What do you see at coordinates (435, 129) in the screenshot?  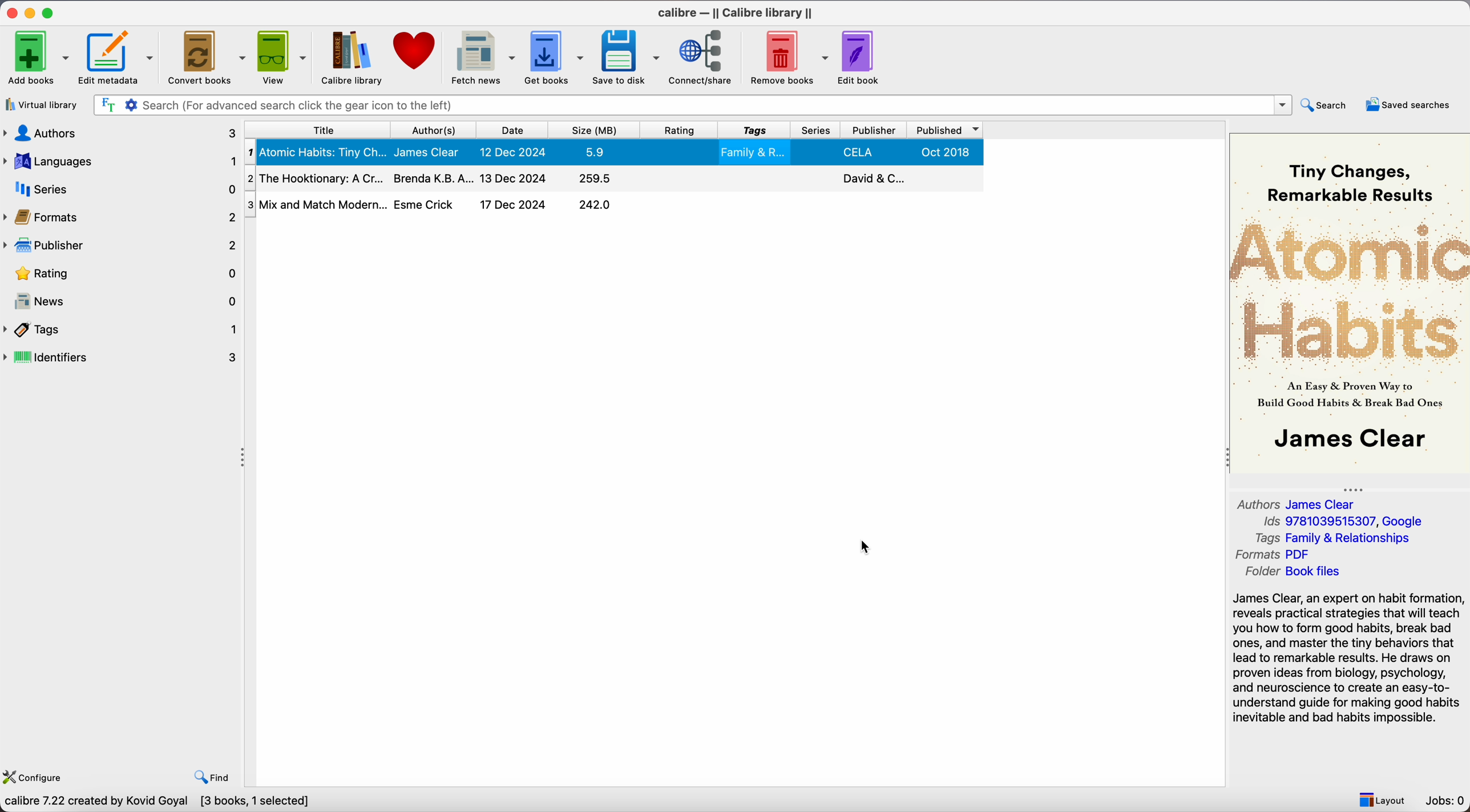 I see `author(s)` at bounding box center [435, 129].